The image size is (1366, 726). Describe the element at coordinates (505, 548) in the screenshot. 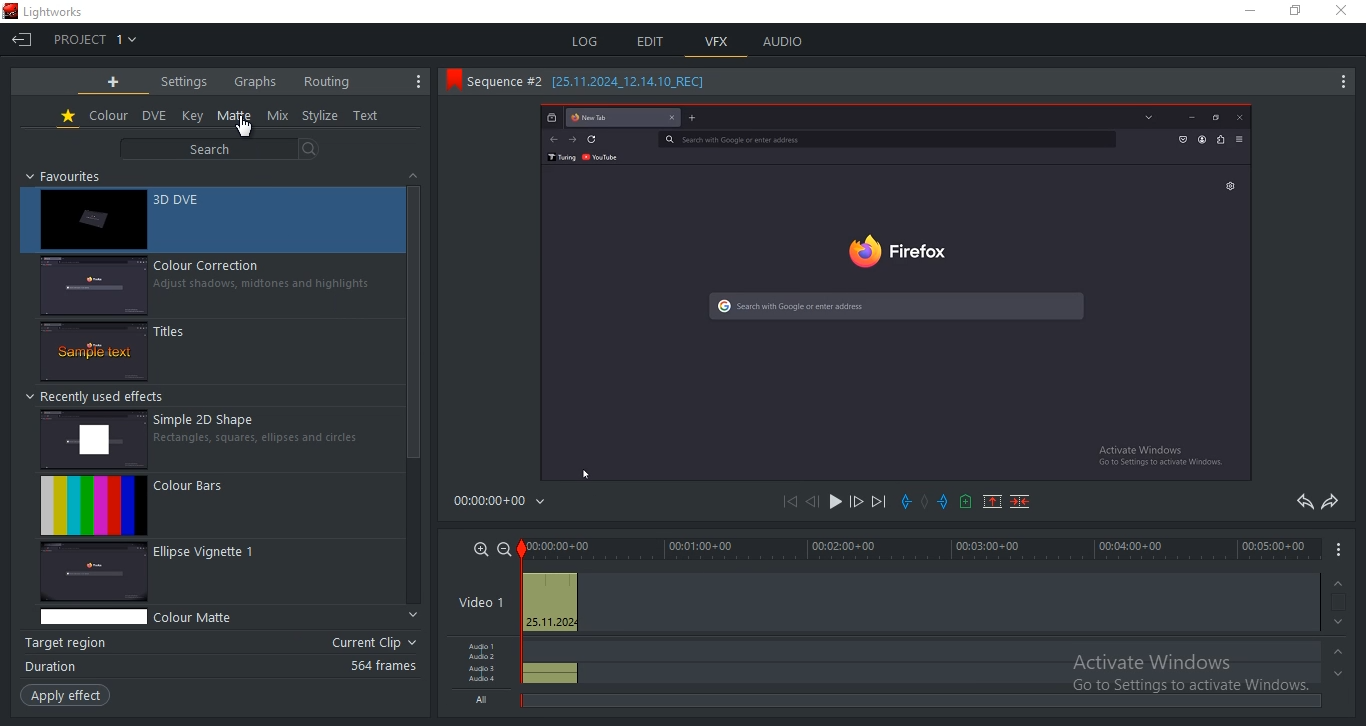

I see `zoom out` at that location.